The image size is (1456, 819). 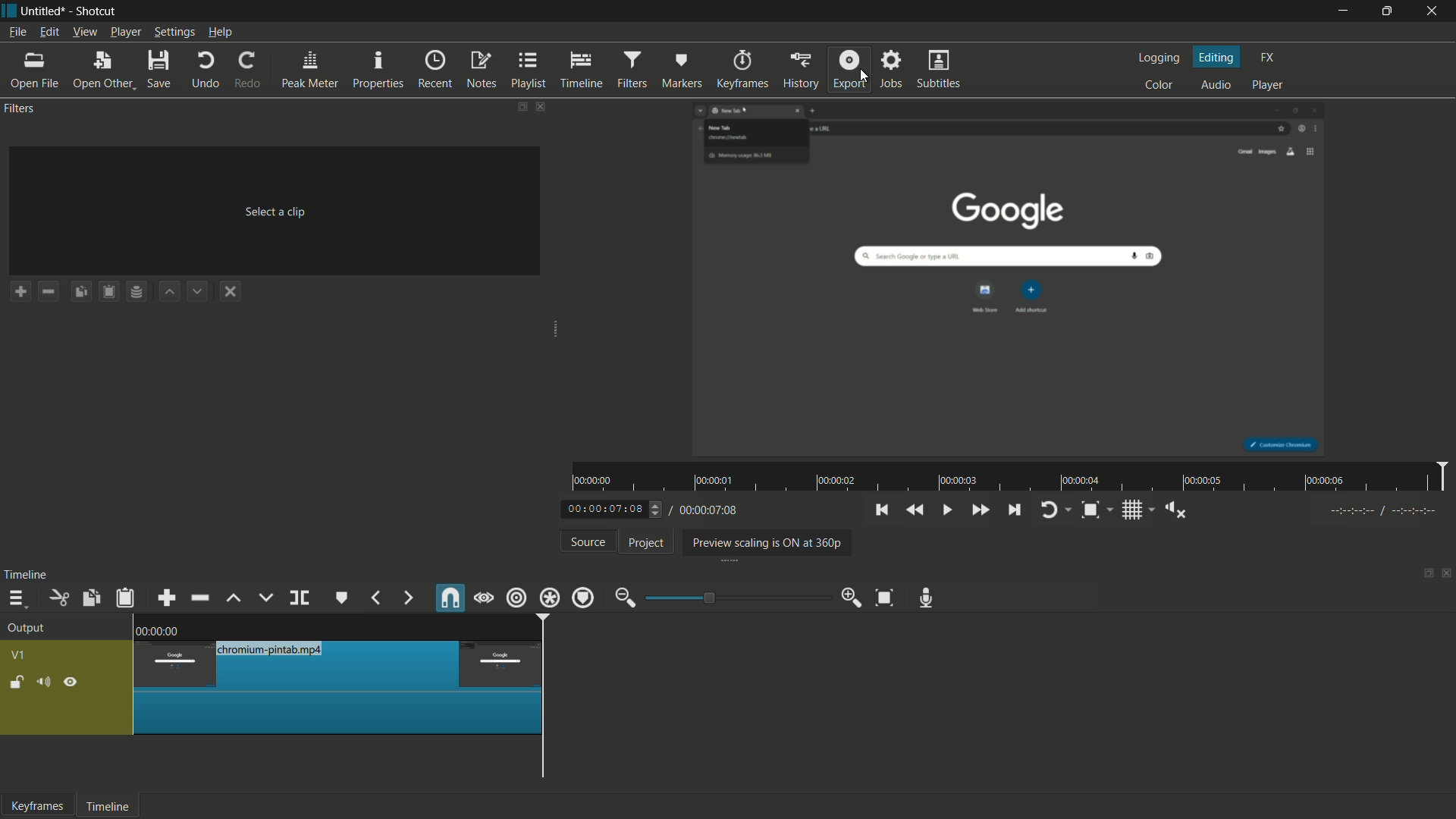 What do you see at coordinates (170, 292) in the screenshot?
I see `move filter up` at bounding box center [170, 292].